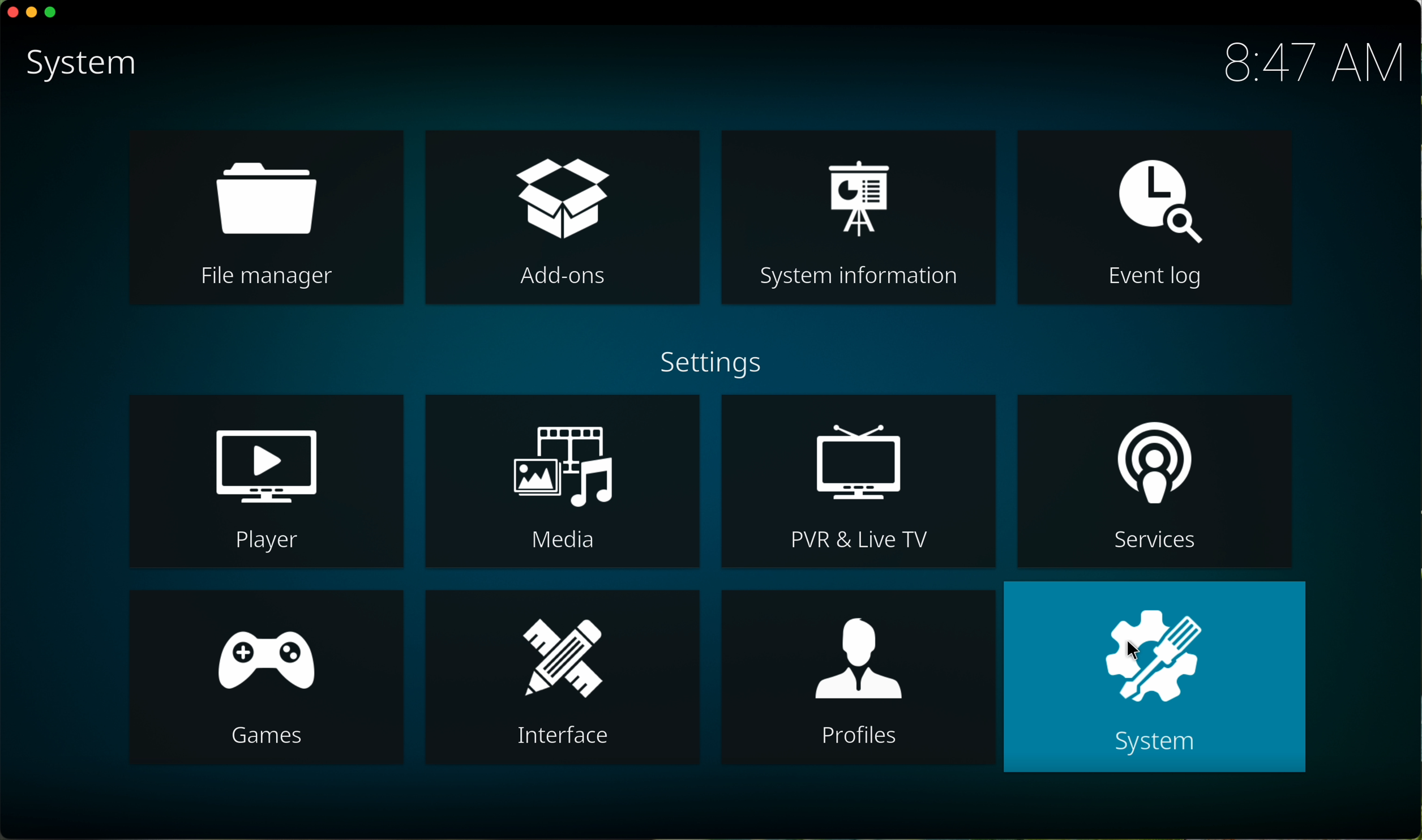 The width and height of the screenshot is (1422, 840). What do you see at coordinates (269, 676) in the screenshot?
I see `games` at bounding box center [269, 676].